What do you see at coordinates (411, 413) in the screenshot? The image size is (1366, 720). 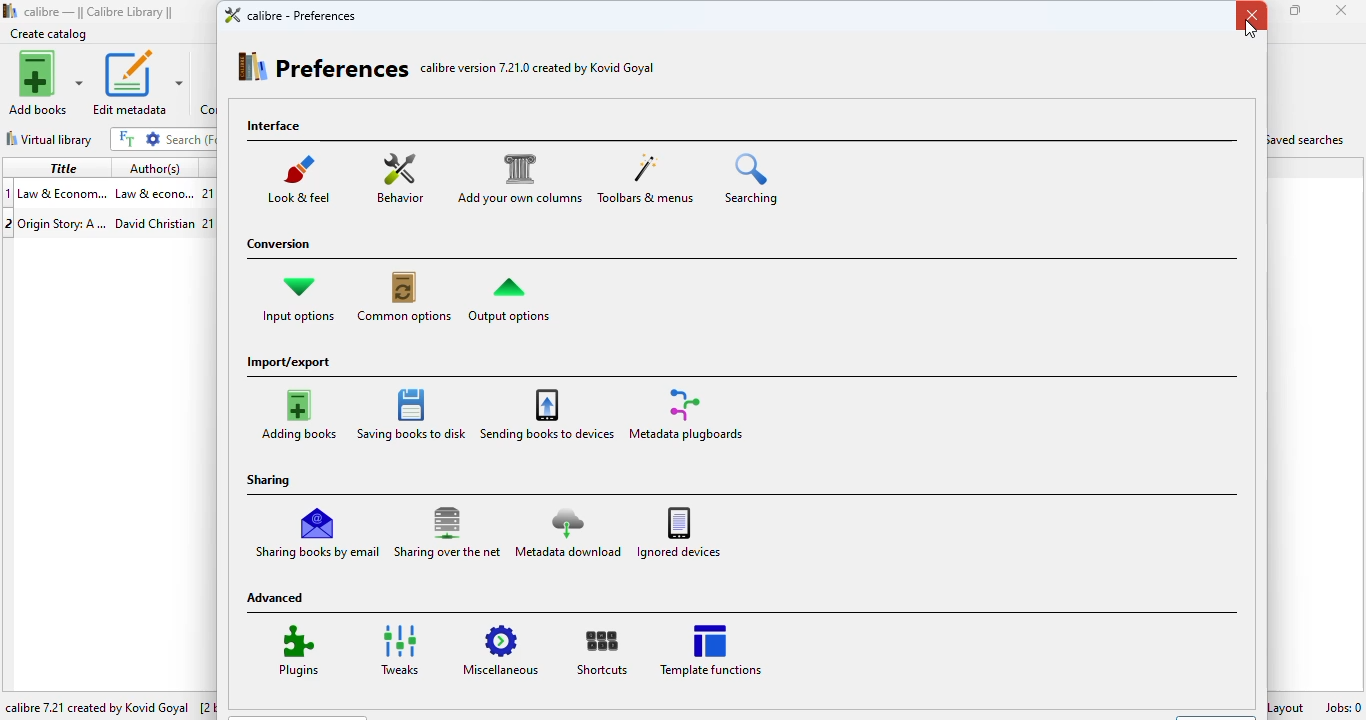 I see `saving books to disk` at bounding box center [411, 413].